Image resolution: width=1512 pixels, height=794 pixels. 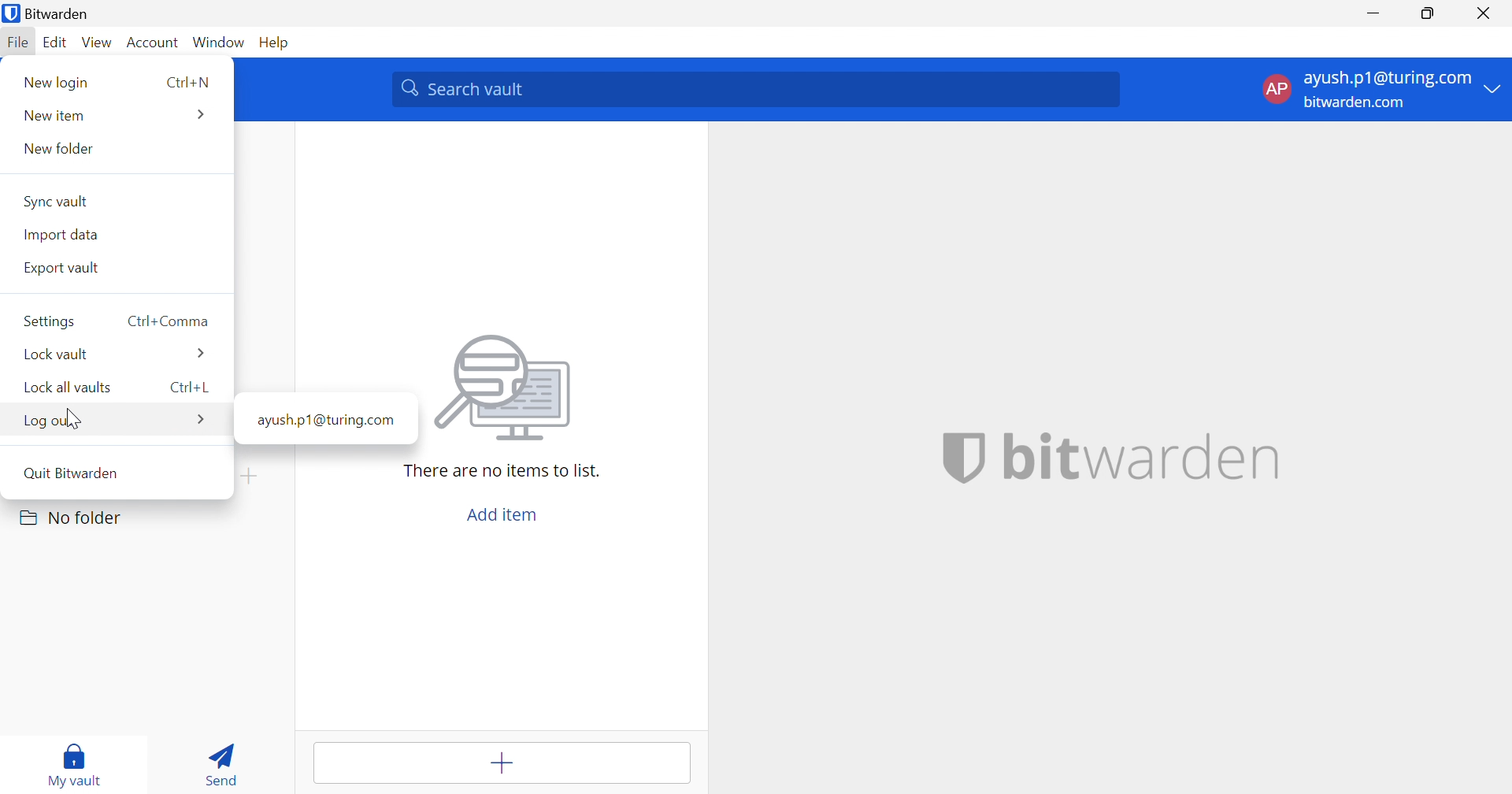 What do you see at coordinates (963, 457) in the screenshot?
I see `bitwarden logo` at bounding box center [963, 457].